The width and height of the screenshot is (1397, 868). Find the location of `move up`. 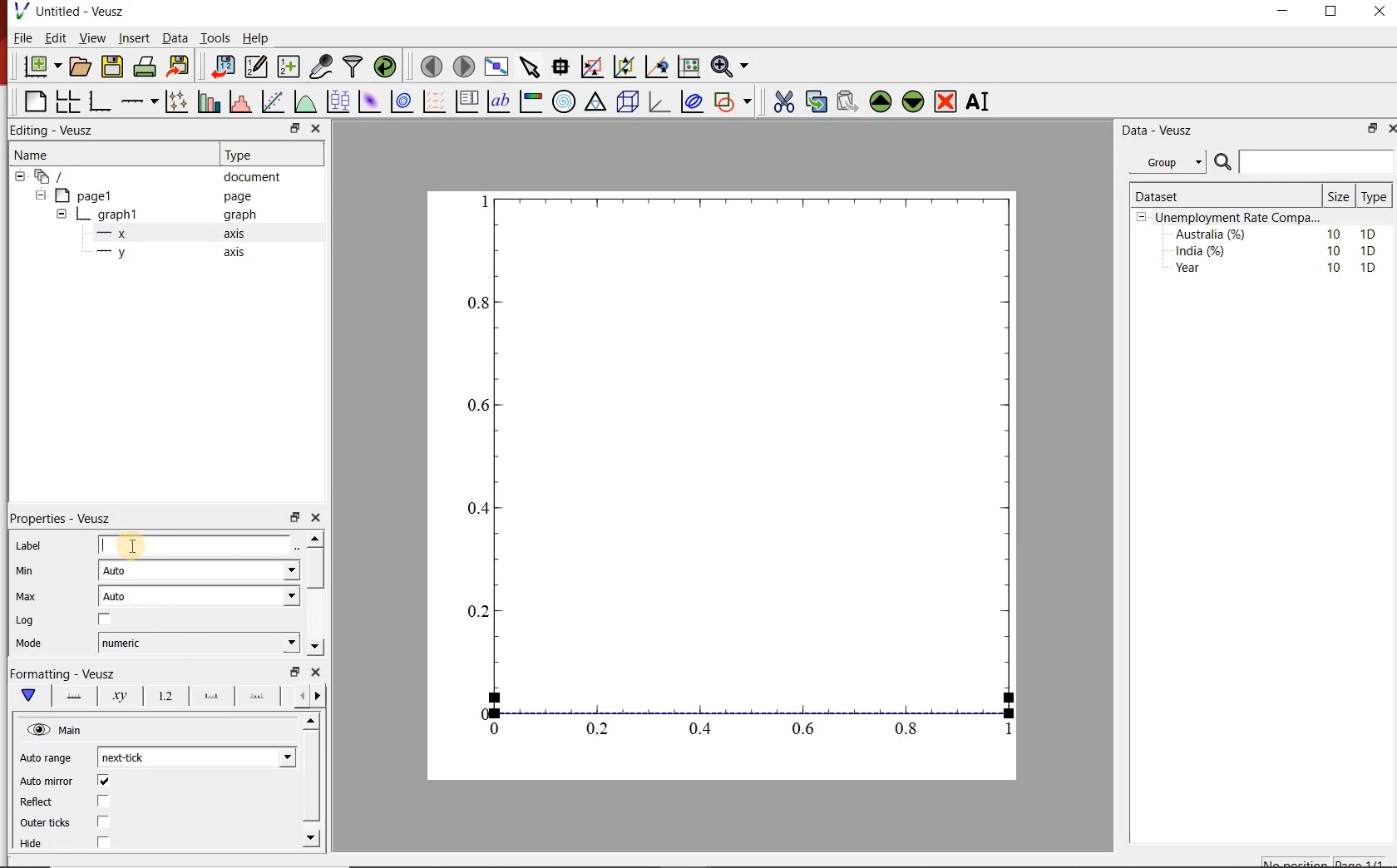

move up is located at coordinates (313, 721).